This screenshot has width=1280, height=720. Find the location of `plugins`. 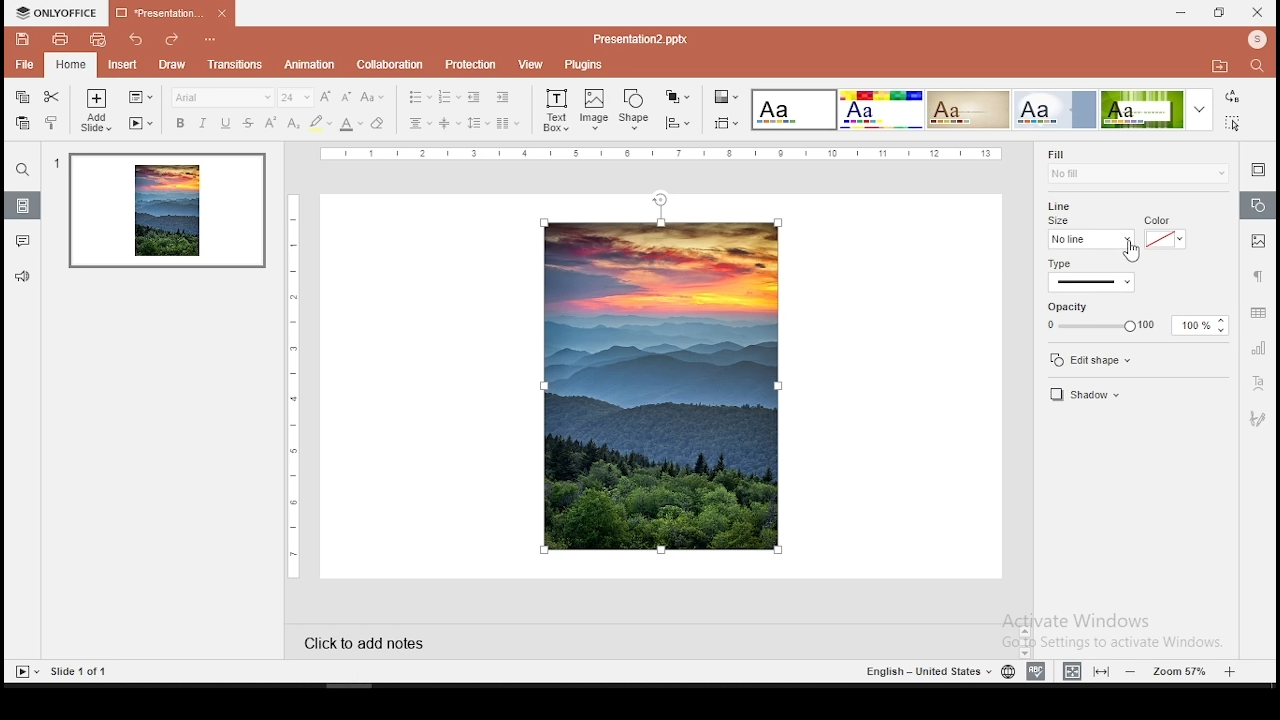

plugins is located at coordinates (588, 64).